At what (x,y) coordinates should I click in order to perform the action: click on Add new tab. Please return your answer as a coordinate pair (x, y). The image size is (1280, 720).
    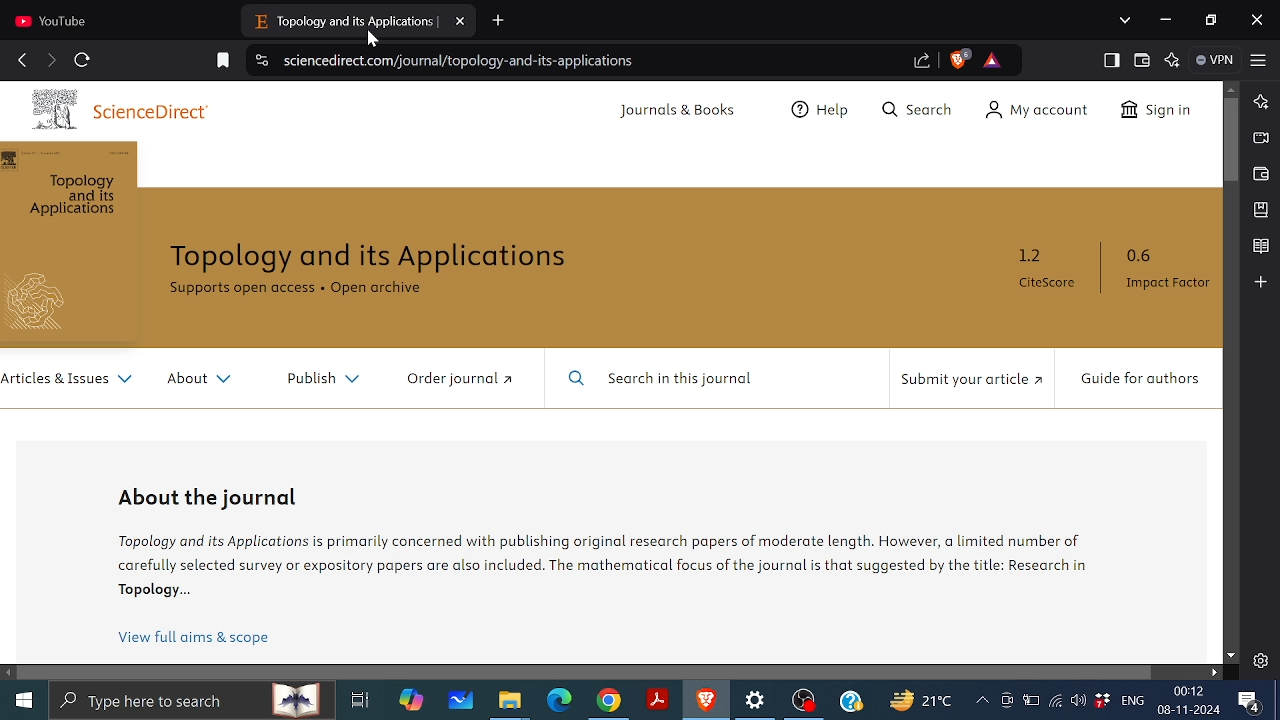
    Looking at the image, I should click on (500, 21).